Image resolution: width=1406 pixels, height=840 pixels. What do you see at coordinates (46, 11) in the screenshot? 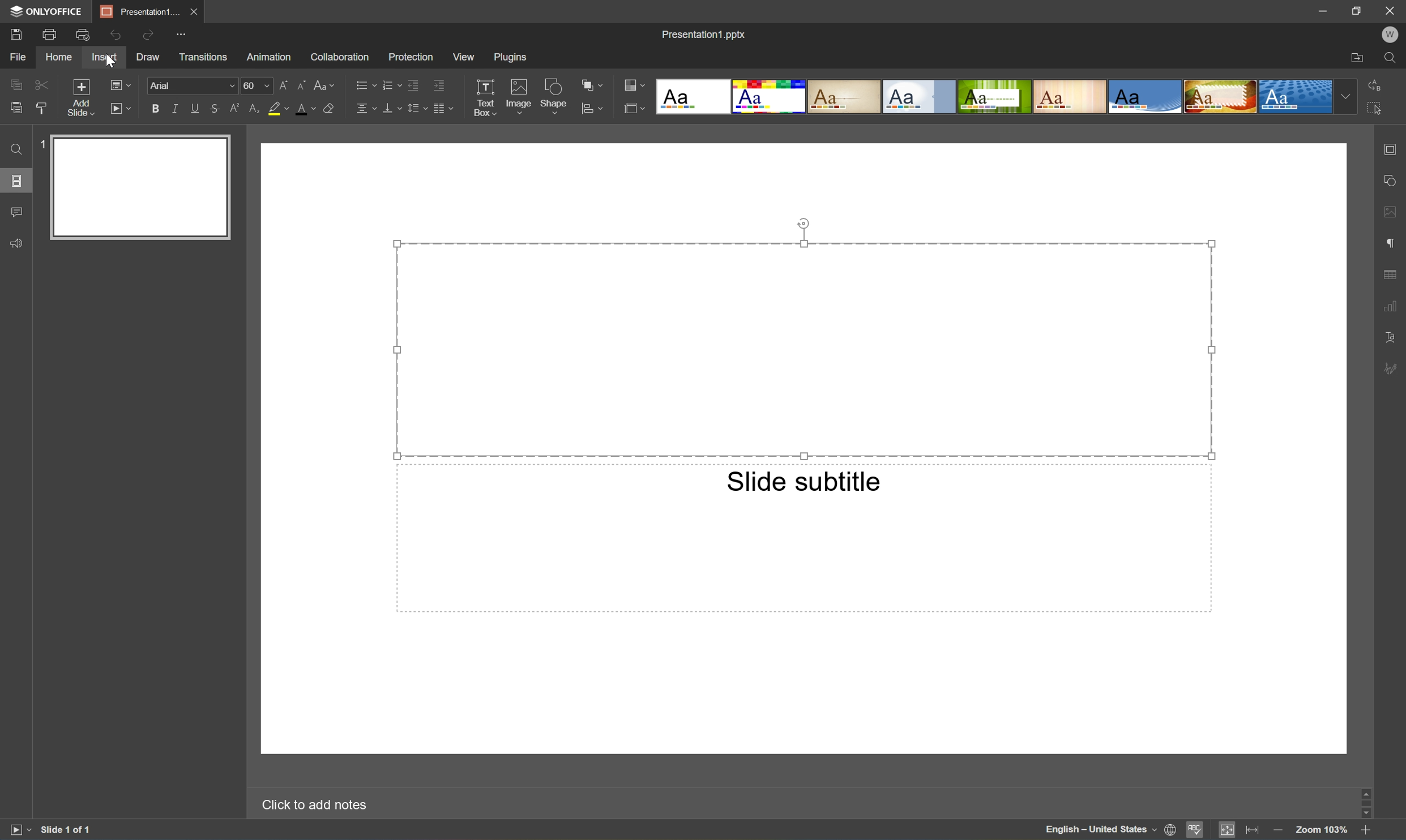
I see `ONLYOFFICE` at bounding box center [46, 11].